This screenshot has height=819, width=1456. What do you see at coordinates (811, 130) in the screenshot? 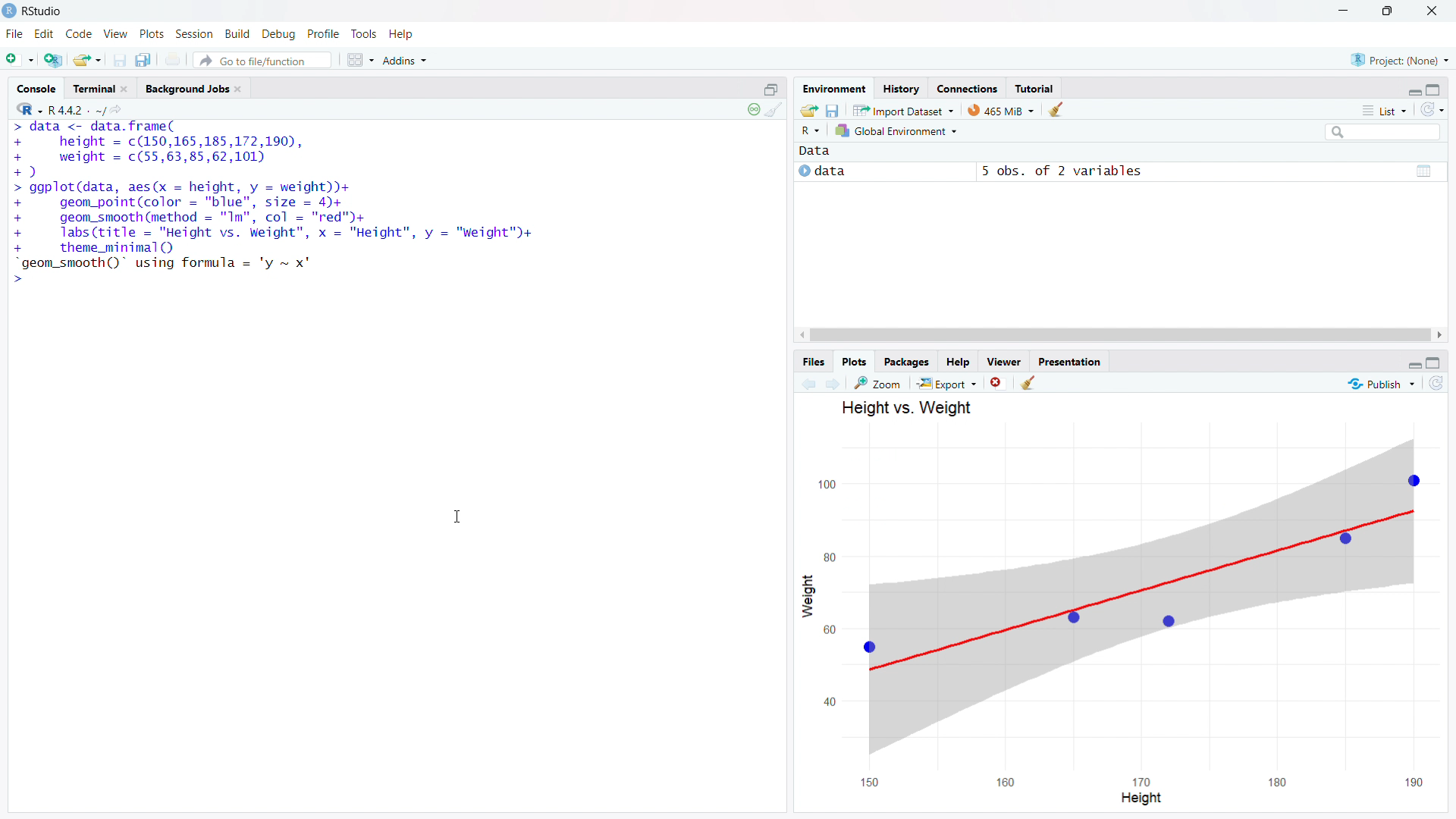
I see `select programming langugae` at bounding box center [811, 130].